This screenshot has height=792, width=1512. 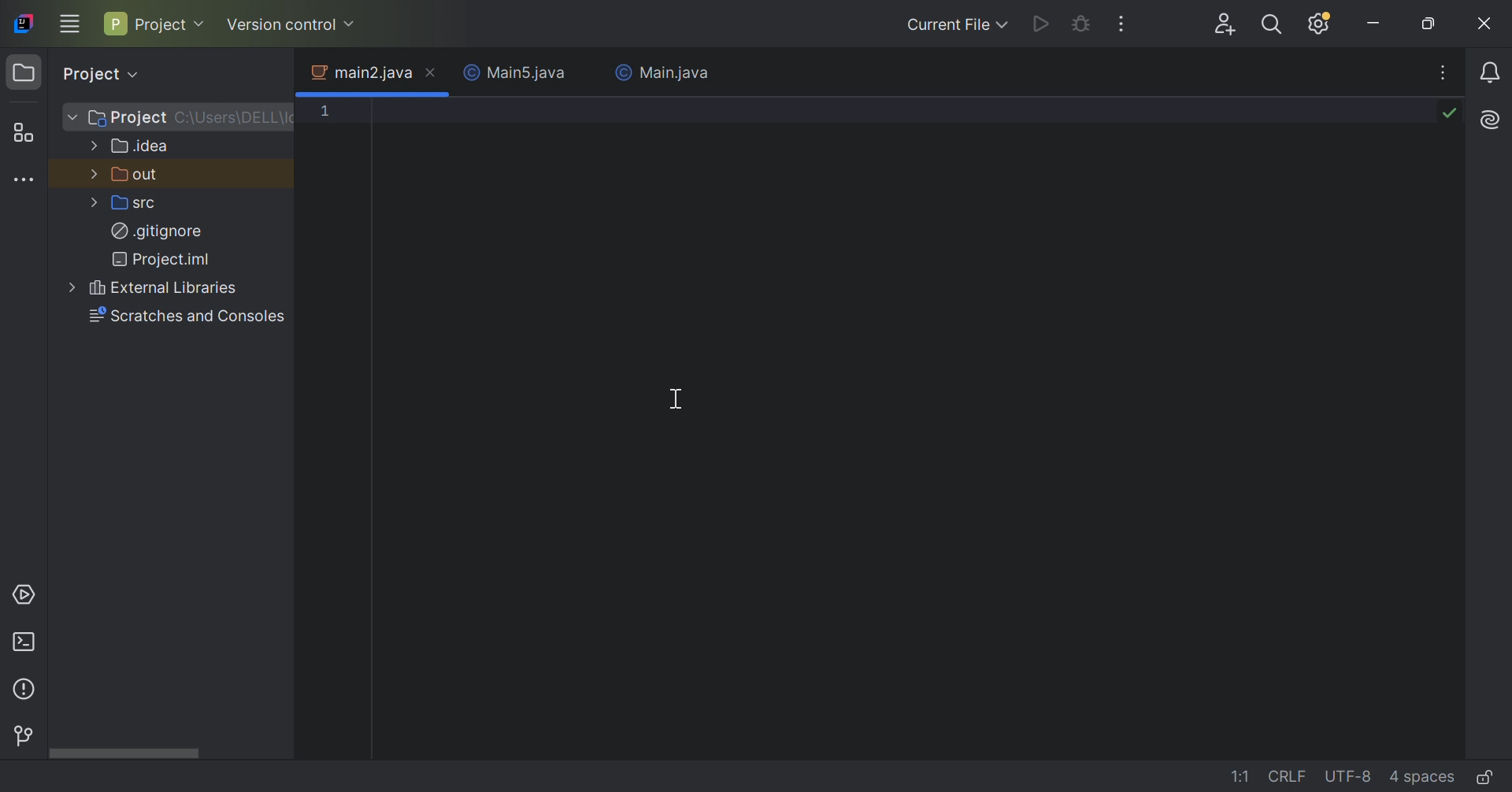 What do you see at coordinates (1227, 24) in the screenshot?
I see `Code with me` at bounding box center [1227, 24].